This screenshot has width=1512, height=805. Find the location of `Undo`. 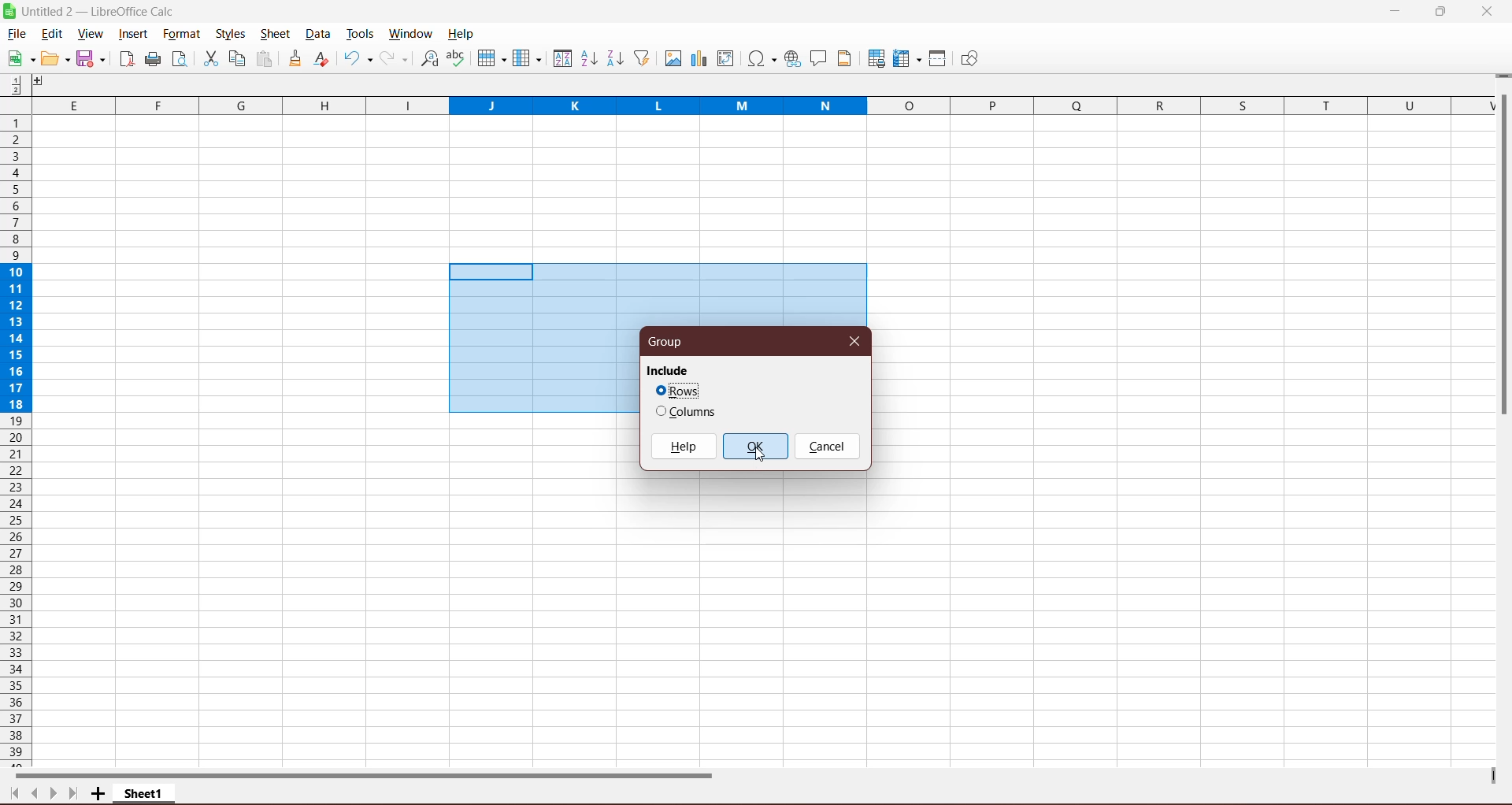

Undo is located at coordinates (358, 60).